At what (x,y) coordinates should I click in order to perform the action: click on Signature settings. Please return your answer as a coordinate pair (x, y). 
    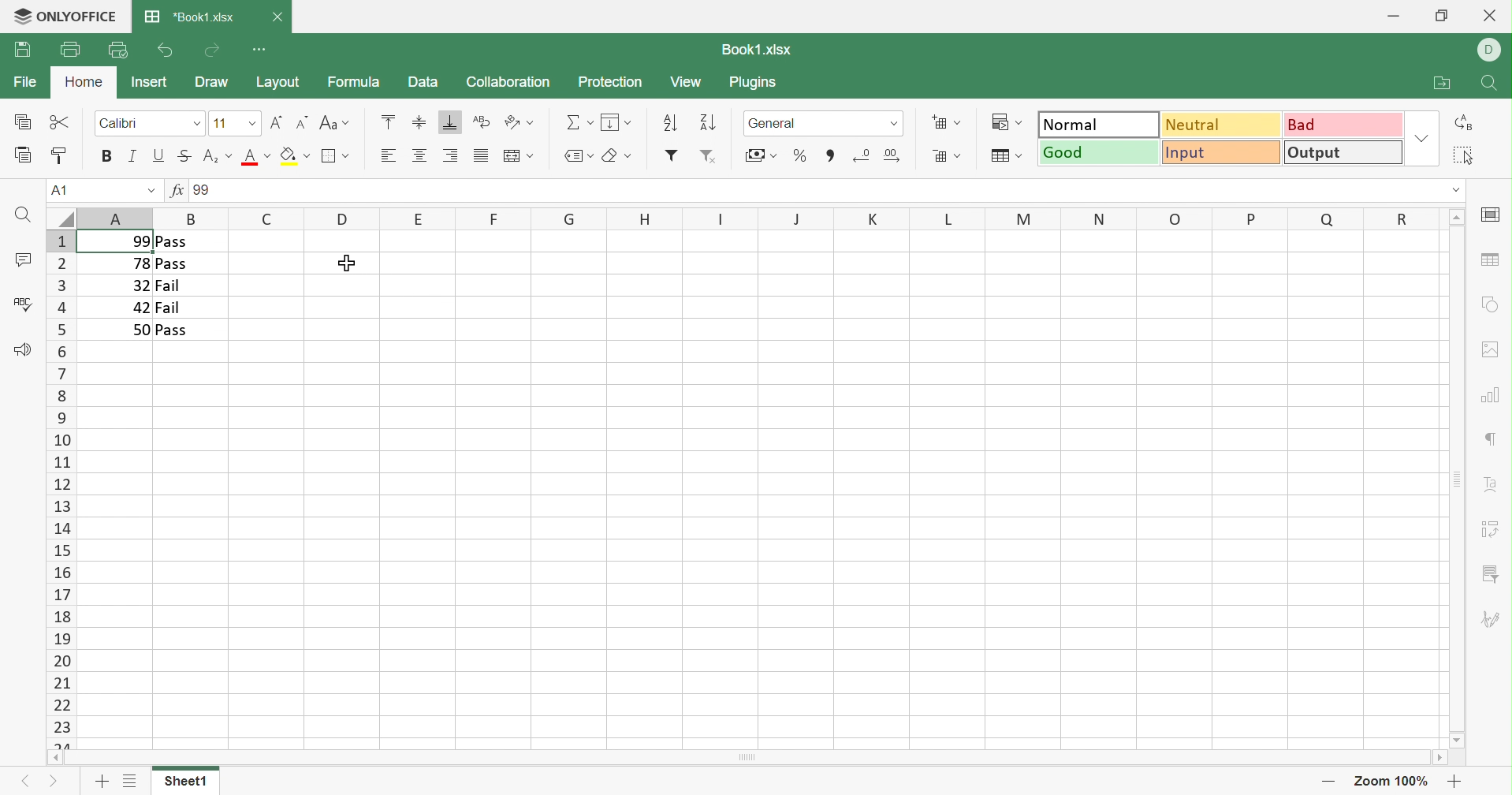
    Looking at the image, I should click on (1494, 618).